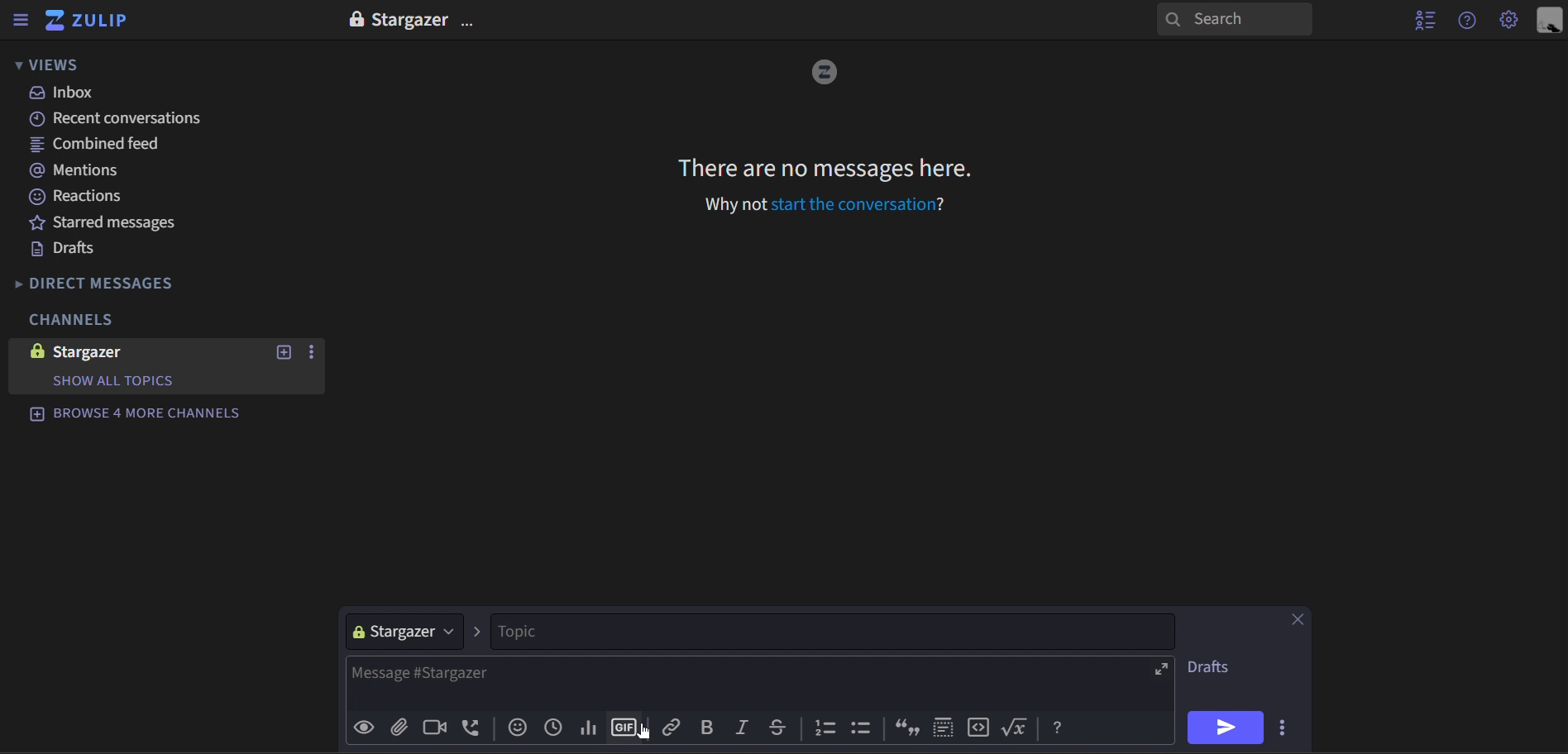 The width and height of the screenshot is (1568, 754). Describe the element at coordinates (676, 730) in the screenshot. I see `Copy link` at that location.